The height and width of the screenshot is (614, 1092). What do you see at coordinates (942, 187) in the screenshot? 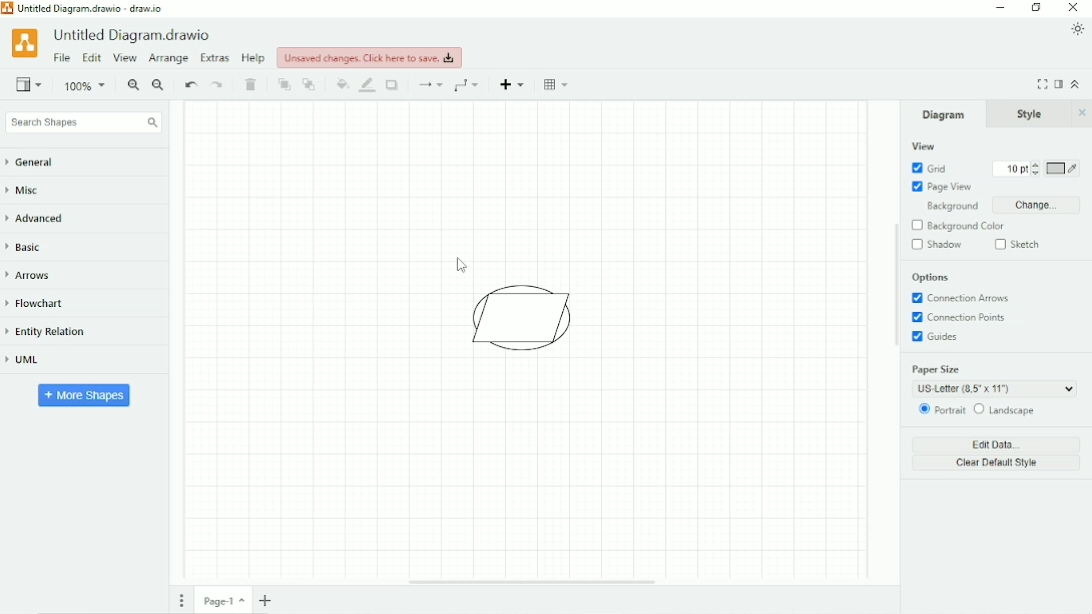
I see `Page view` at bounding box center [942, 187].